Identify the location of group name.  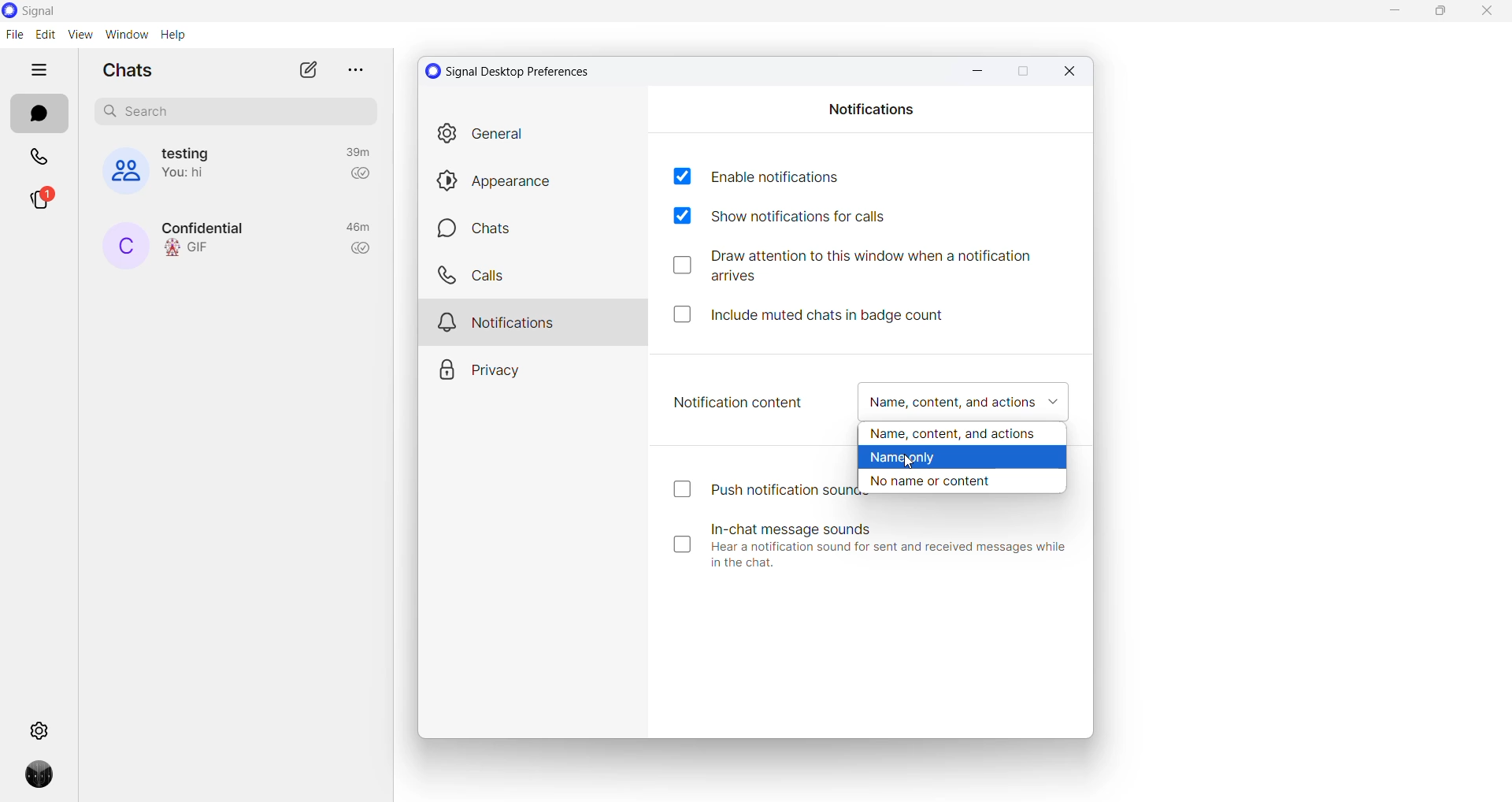
(191, 152).